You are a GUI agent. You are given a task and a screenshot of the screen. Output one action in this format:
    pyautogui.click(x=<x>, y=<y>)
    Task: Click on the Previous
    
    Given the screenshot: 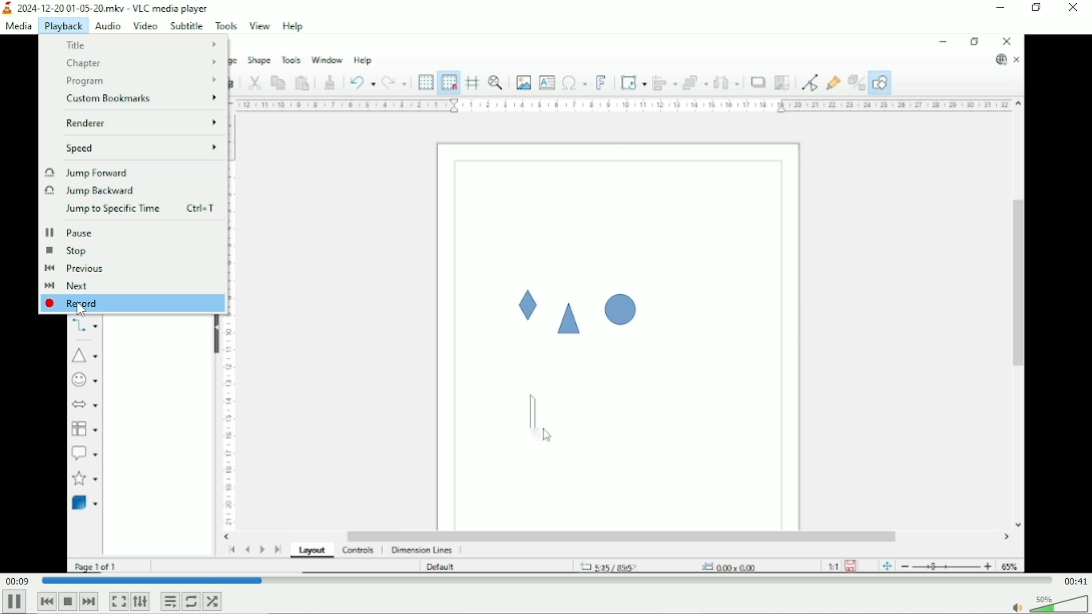 What is the action you would take?
    pyautogui.click(x=46, y=601)
    